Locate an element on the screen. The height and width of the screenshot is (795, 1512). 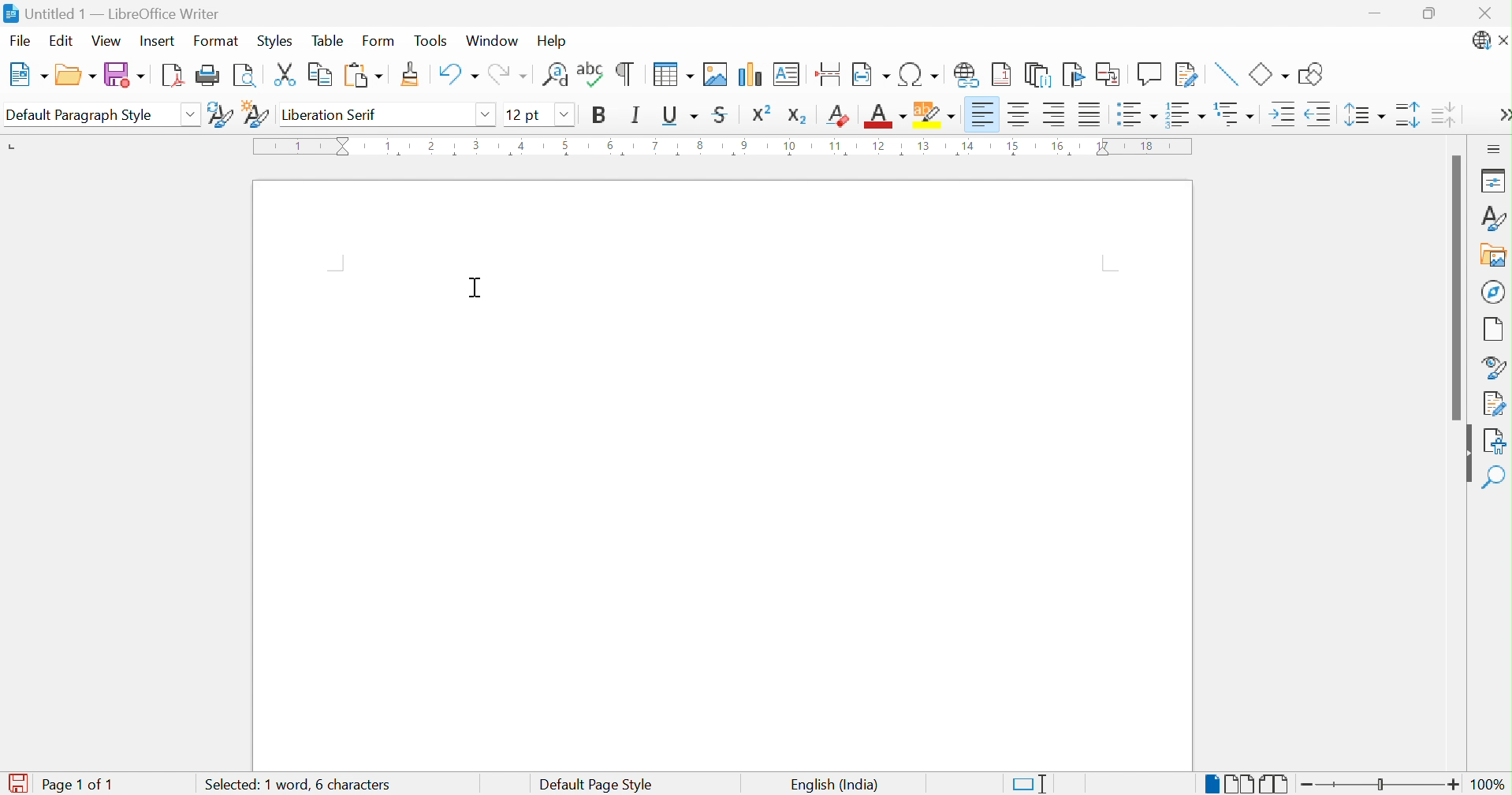
Find and Replace is located at coordinates (556, 74).